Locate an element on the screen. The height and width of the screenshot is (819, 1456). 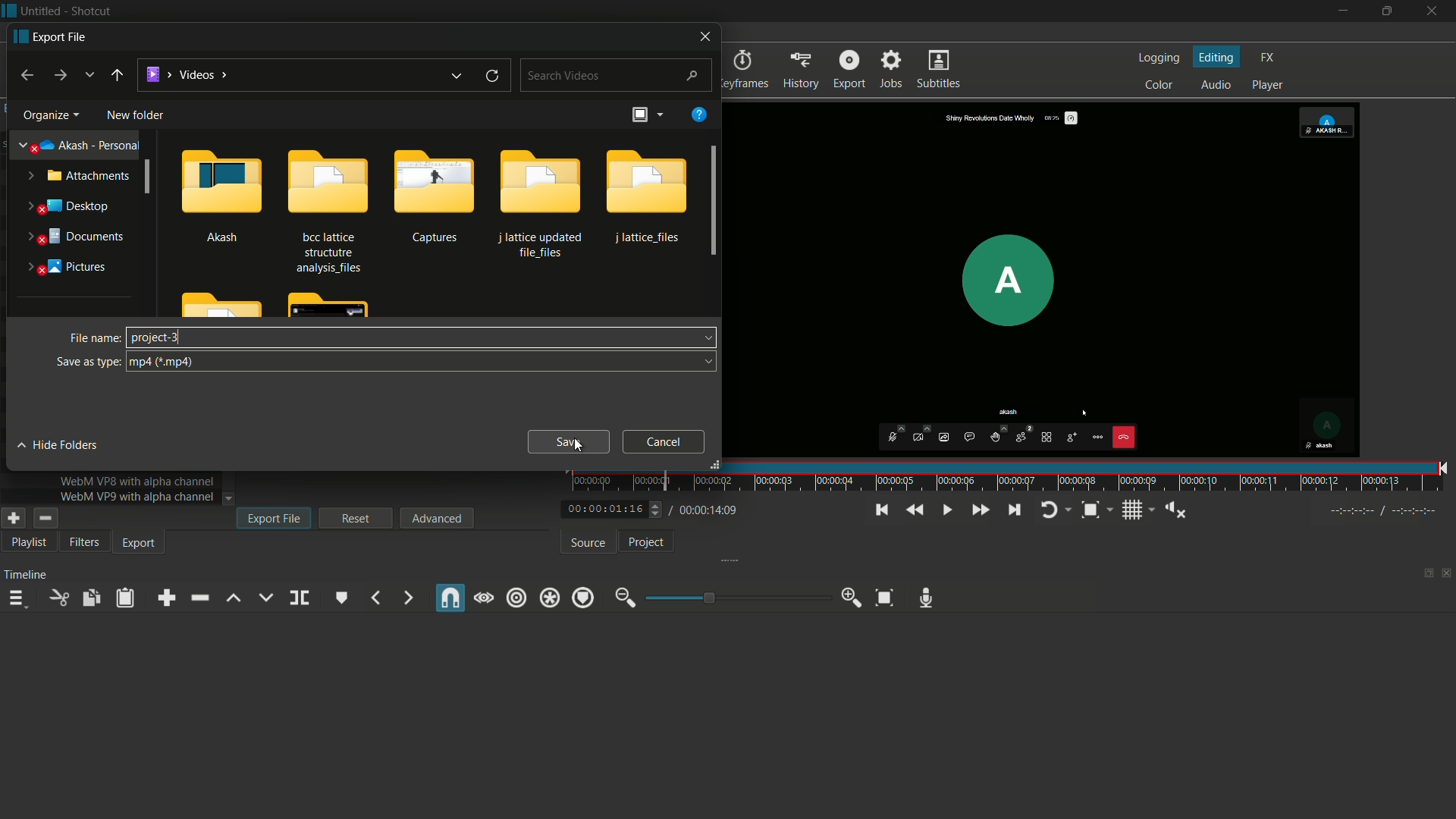
recent locations is located at coordinates (89, 76).